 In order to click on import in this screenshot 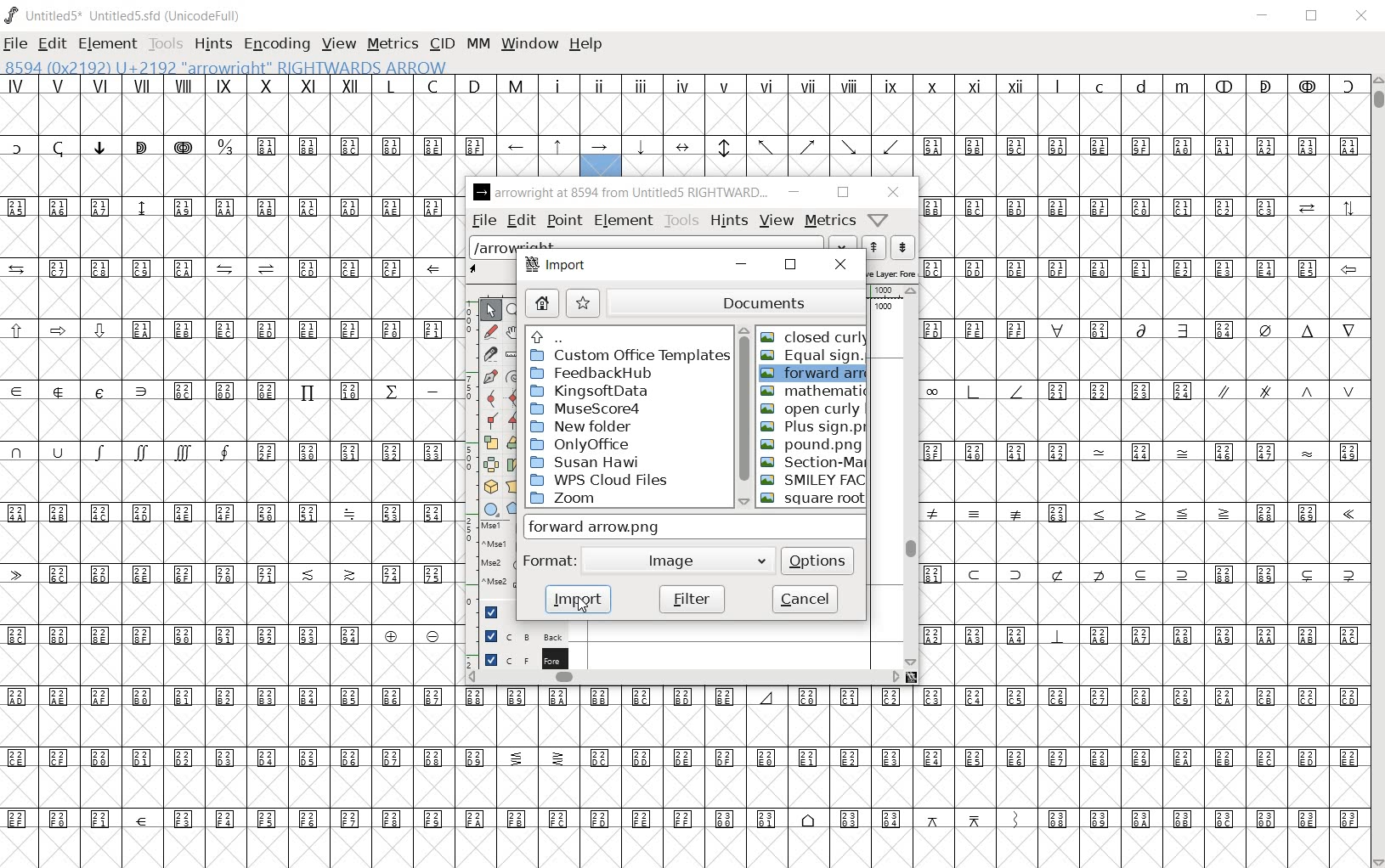, I will do `click(576, 599)`.